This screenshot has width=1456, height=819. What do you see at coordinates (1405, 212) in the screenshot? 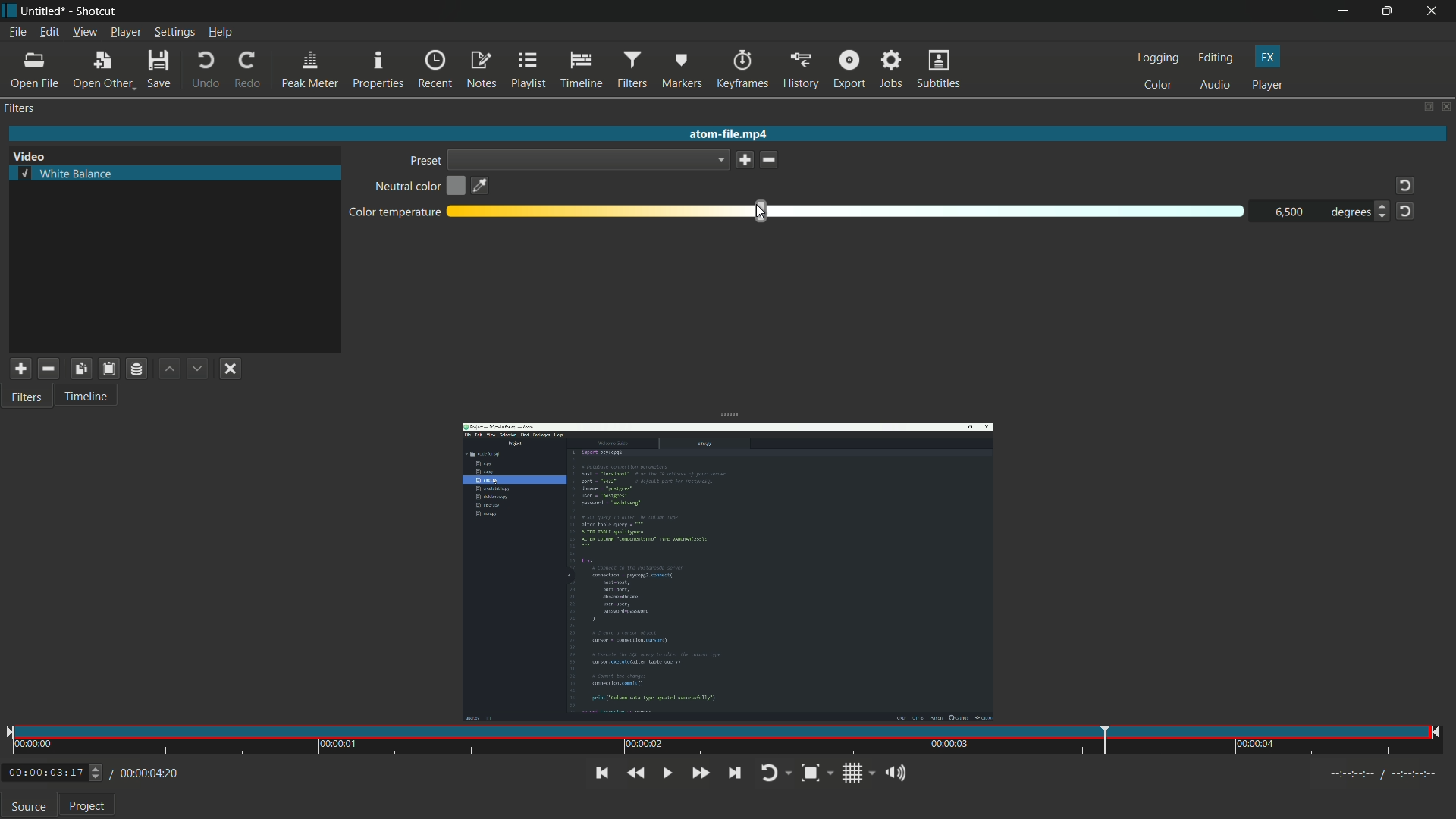
I see `reset to default` at bounding box center [1405, 212].